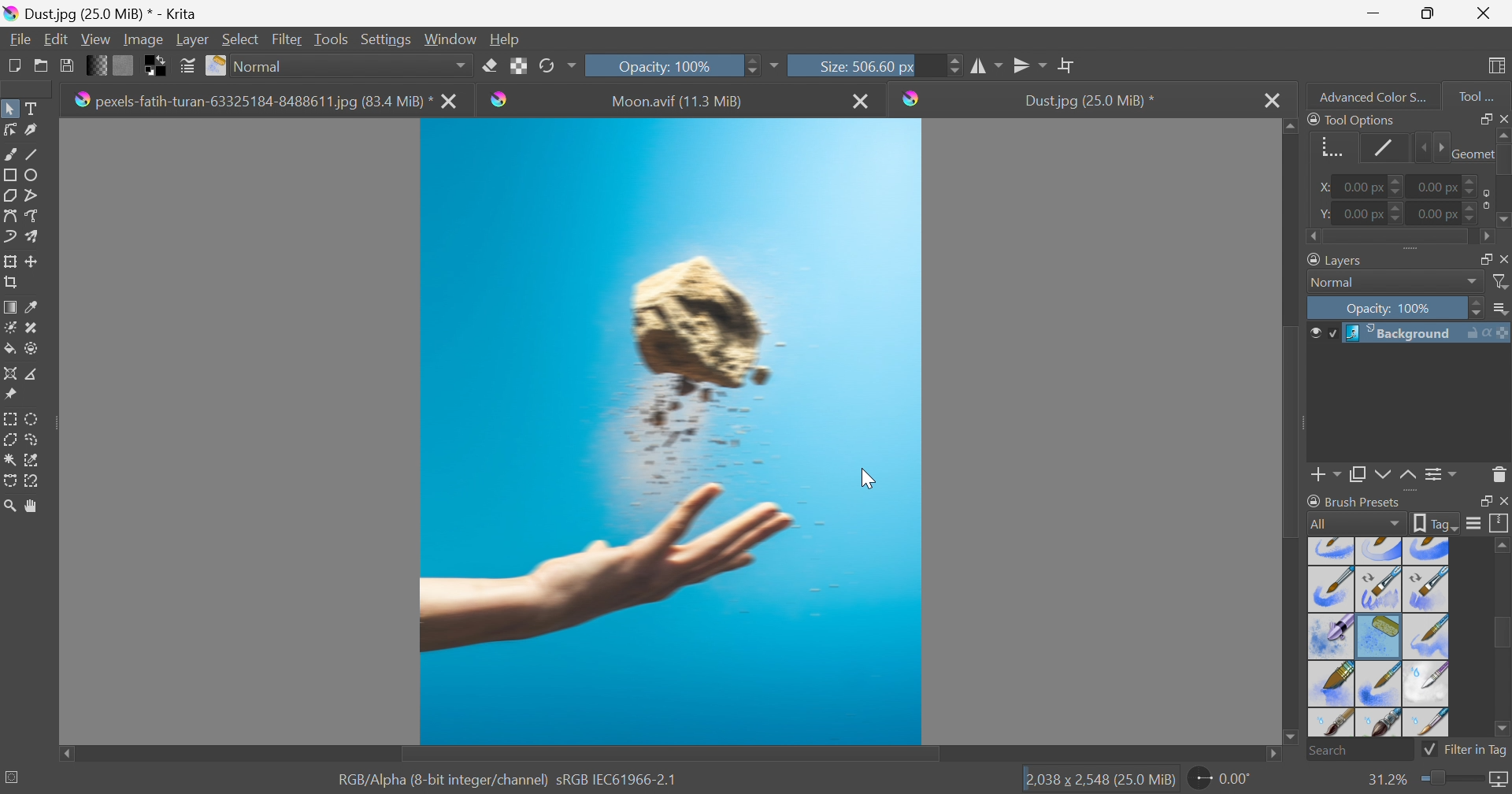 This screenshot has height=794, width=1512. I want to click on Sample a color from an image or current layer, so click(32, 307).